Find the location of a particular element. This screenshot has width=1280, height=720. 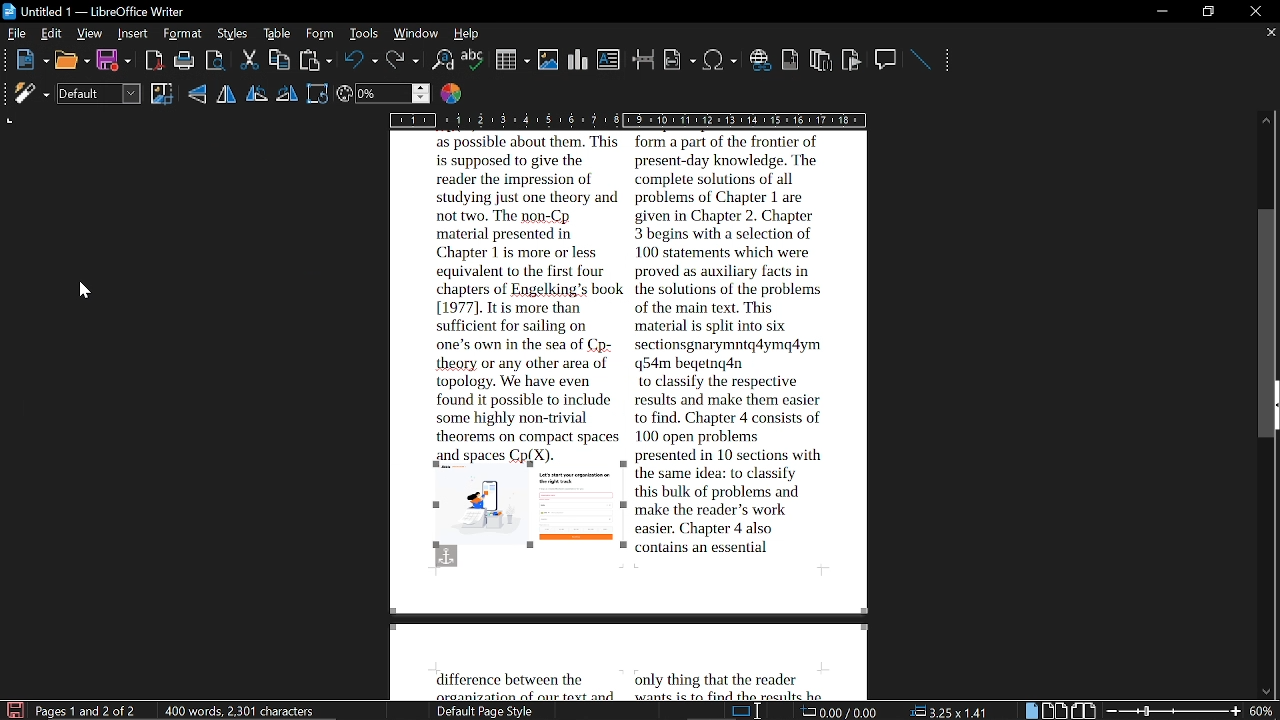

view is located at coordinates (91, 33).